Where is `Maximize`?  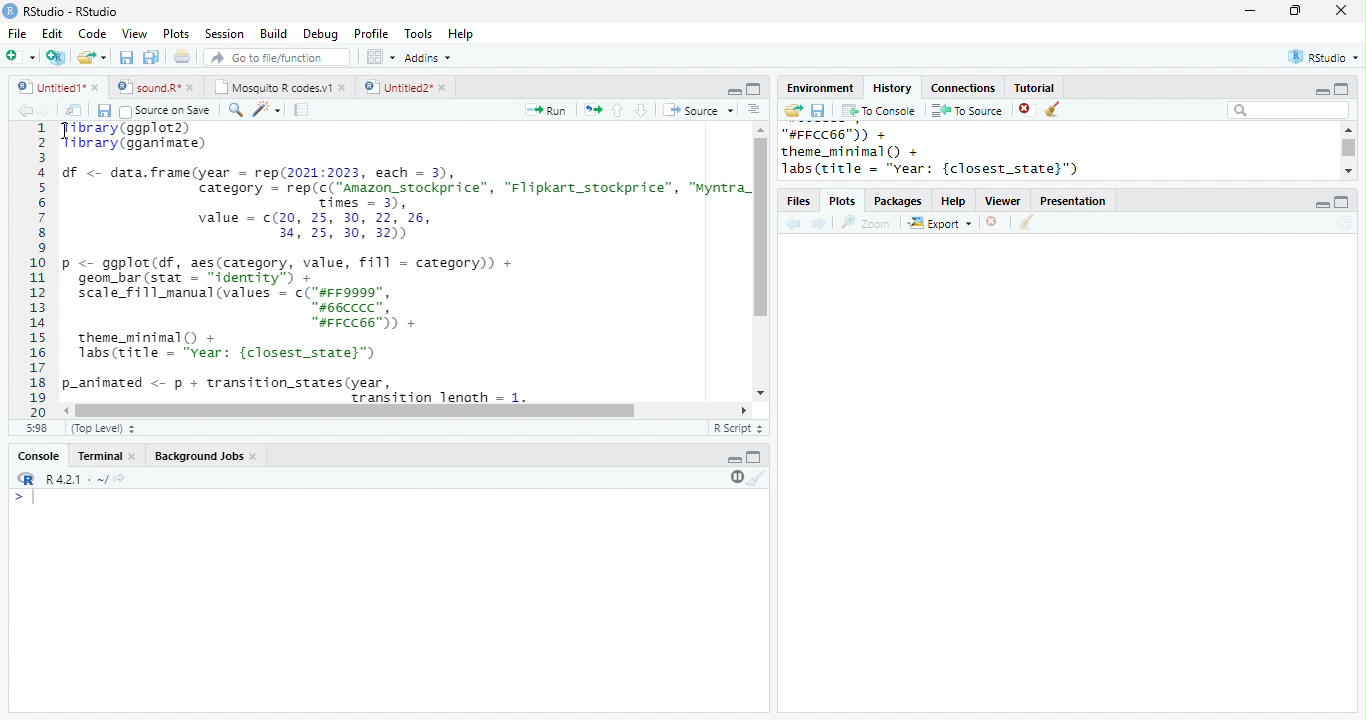 Maximize is located at coordinates (754, 457).